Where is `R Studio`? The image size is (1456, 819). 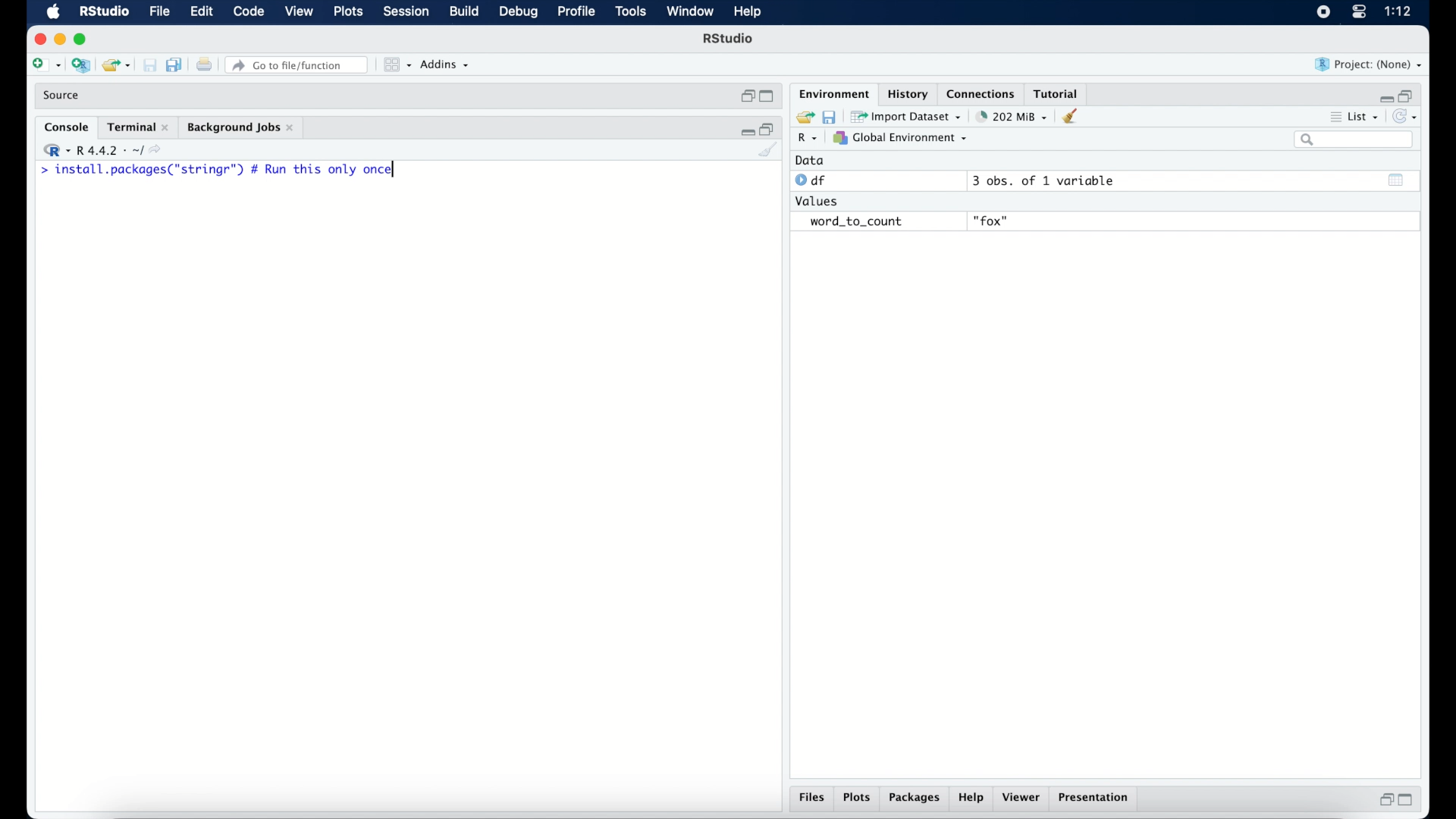 R Studio is located at coordinates (103, 12).